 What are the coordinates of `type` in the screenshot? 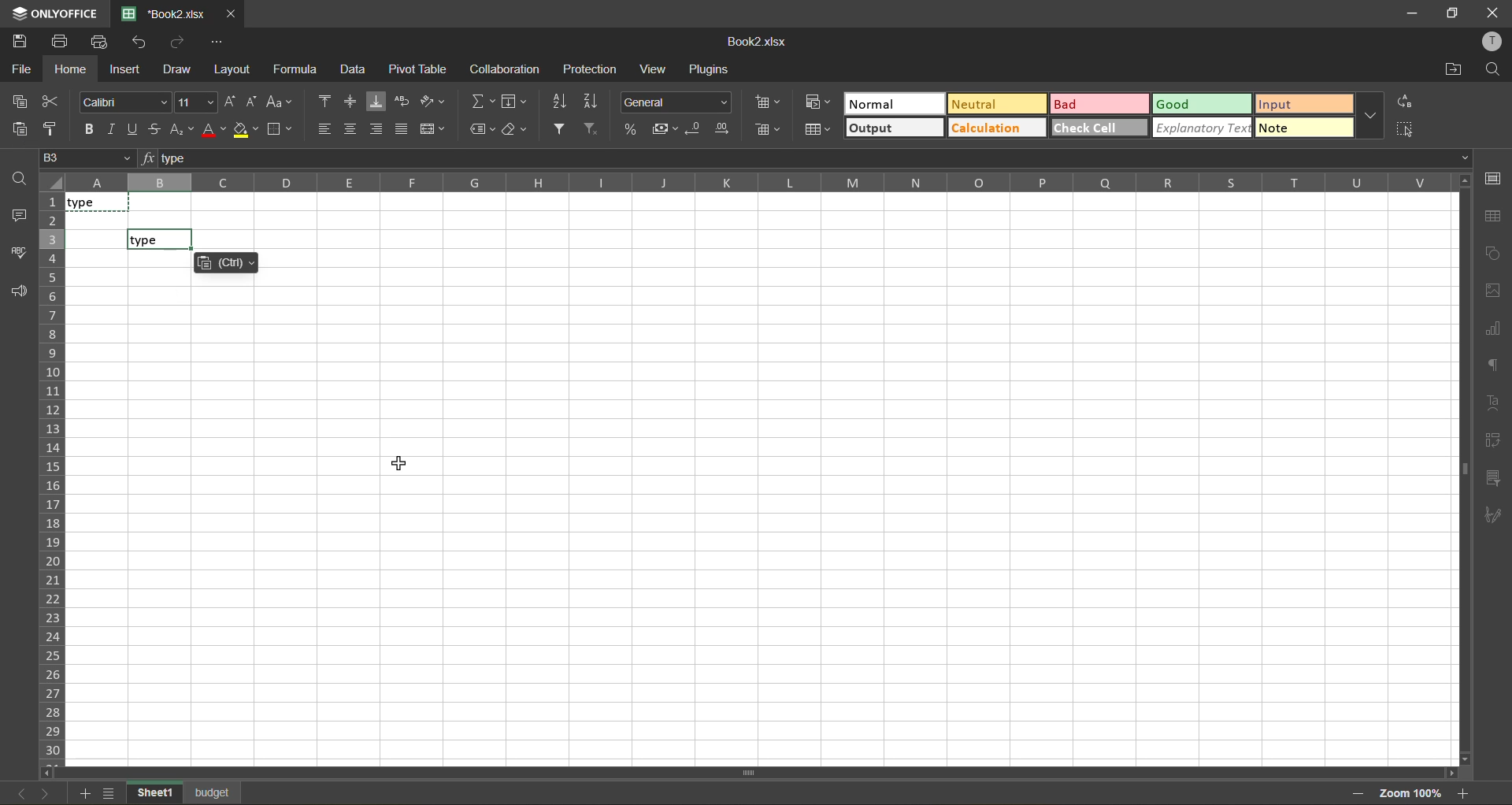 It's located at (98, 202).